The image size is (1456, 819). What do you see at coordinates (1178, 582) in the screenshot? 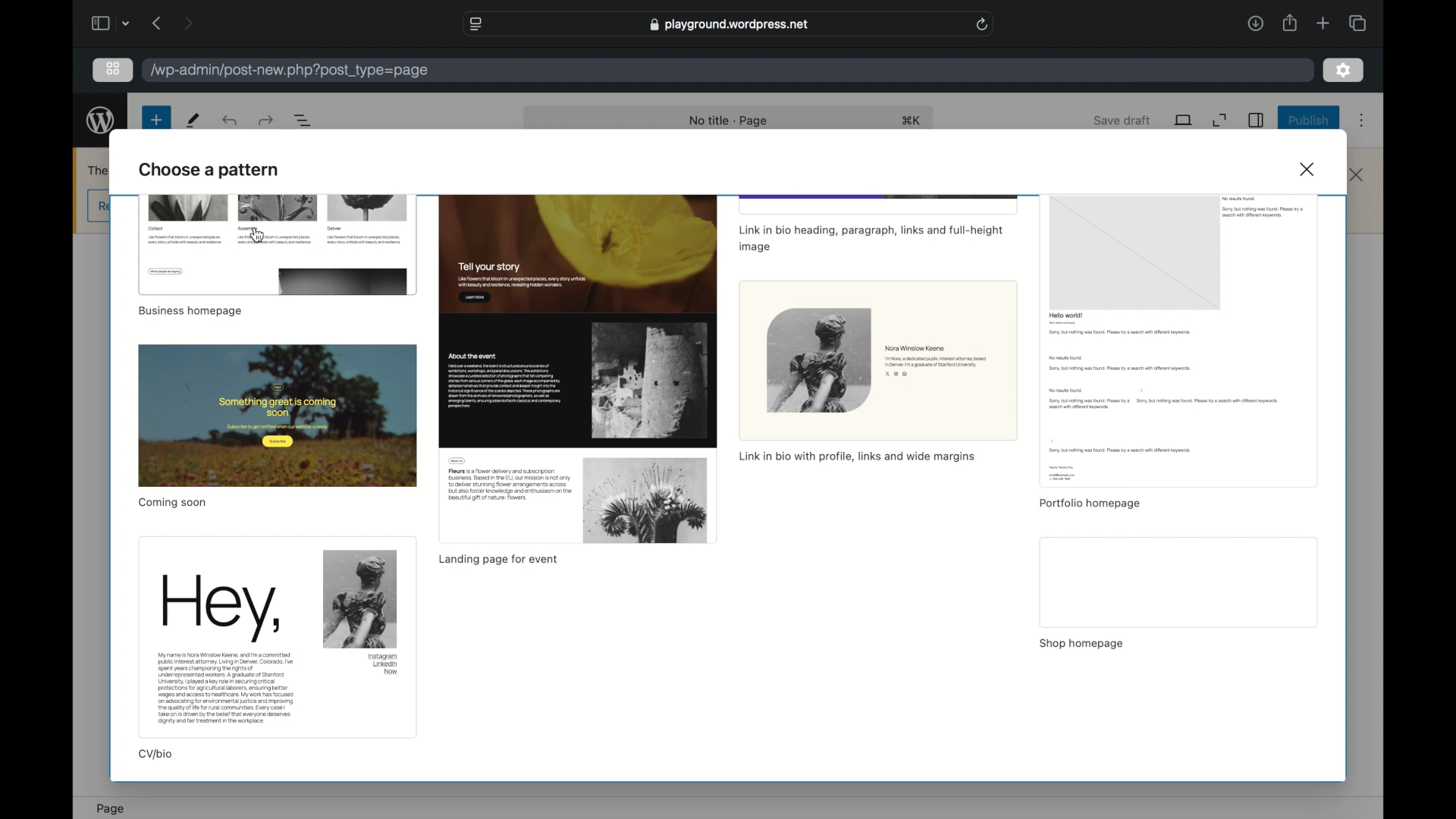
I see `preview` at bounding box center [1178, 582].